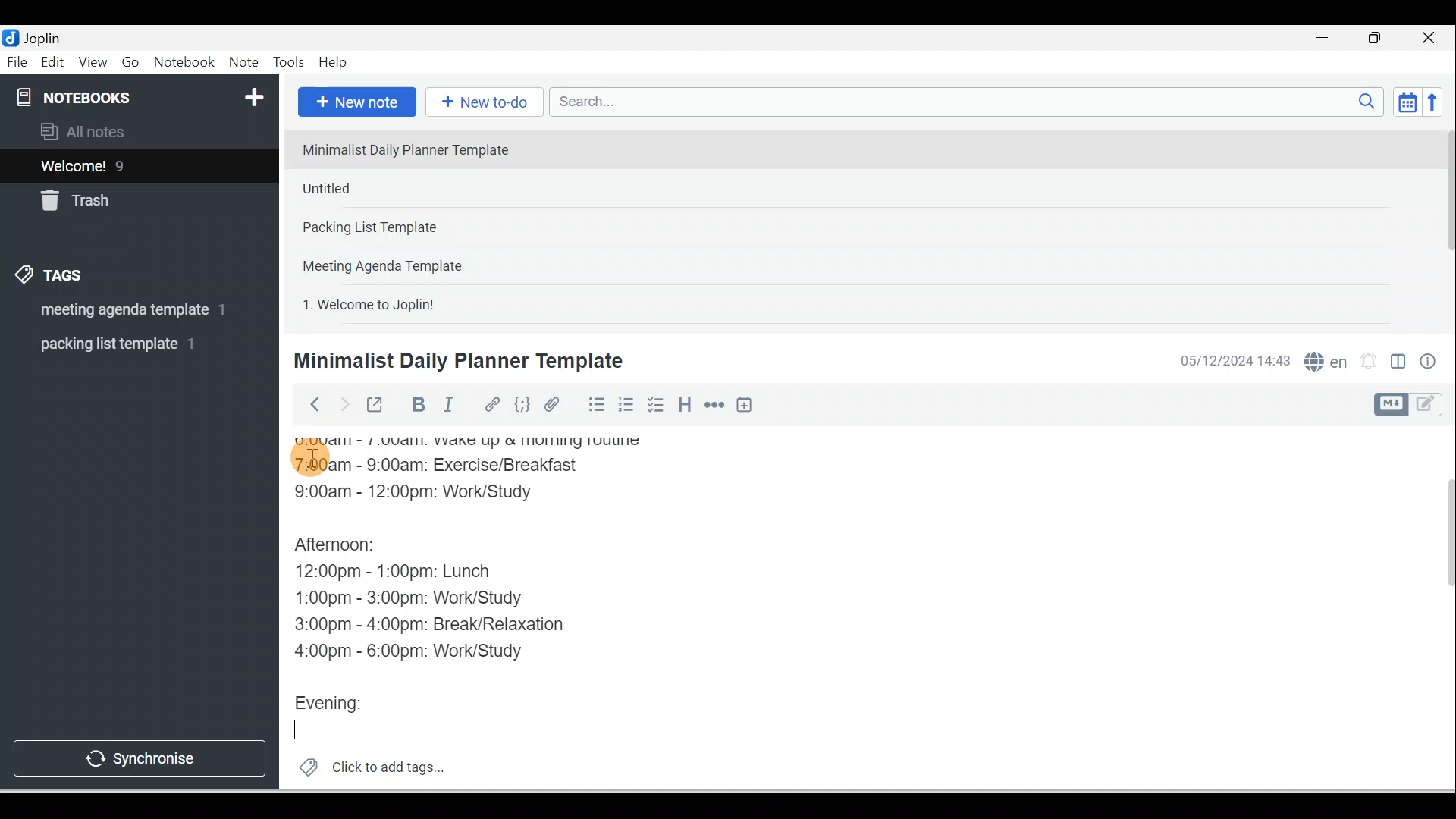  I want to click on Note 3, so click(418, 228).